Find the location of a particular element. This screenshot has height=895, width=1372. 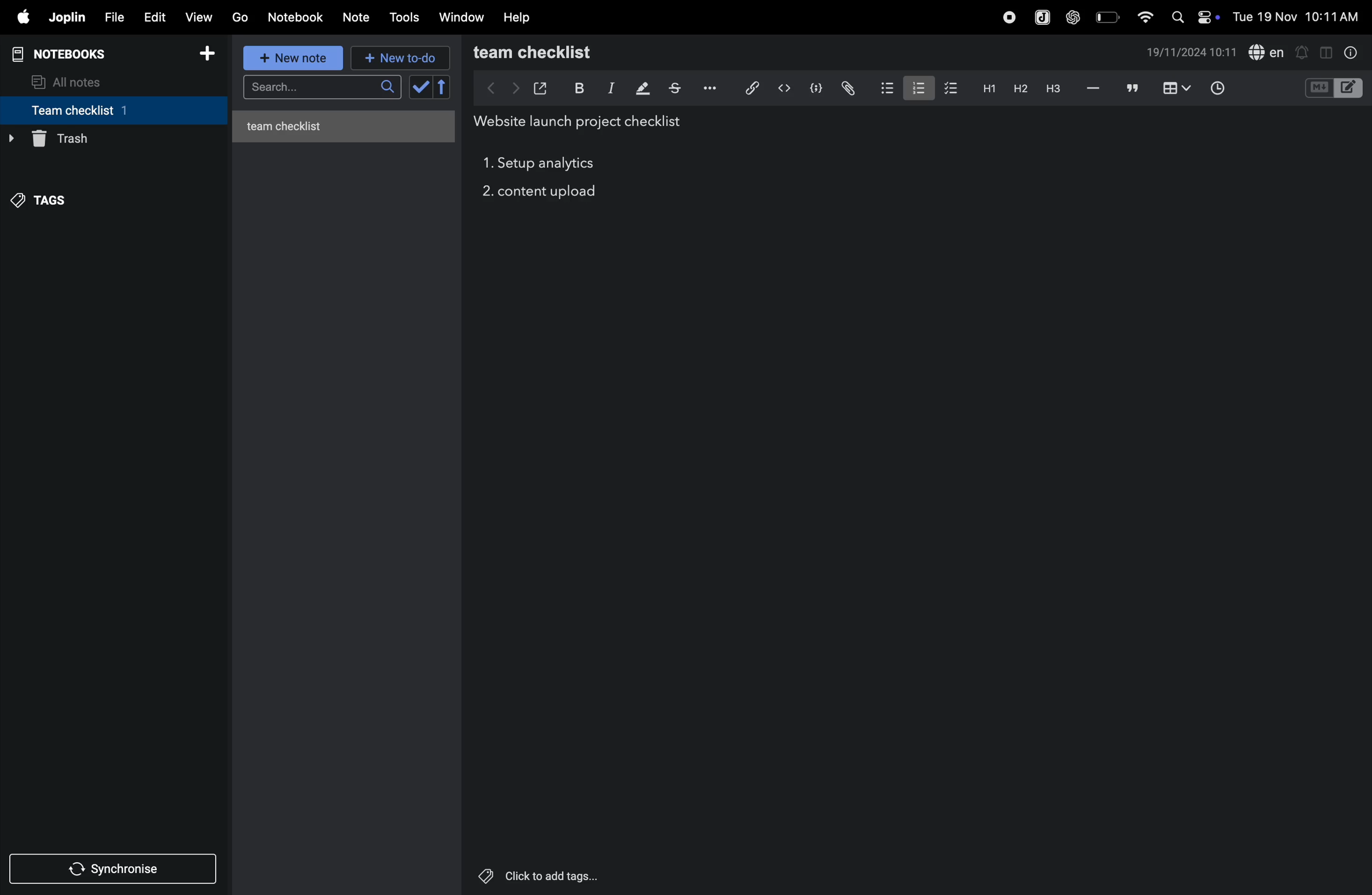

search is located at coordinates (1177, 17).